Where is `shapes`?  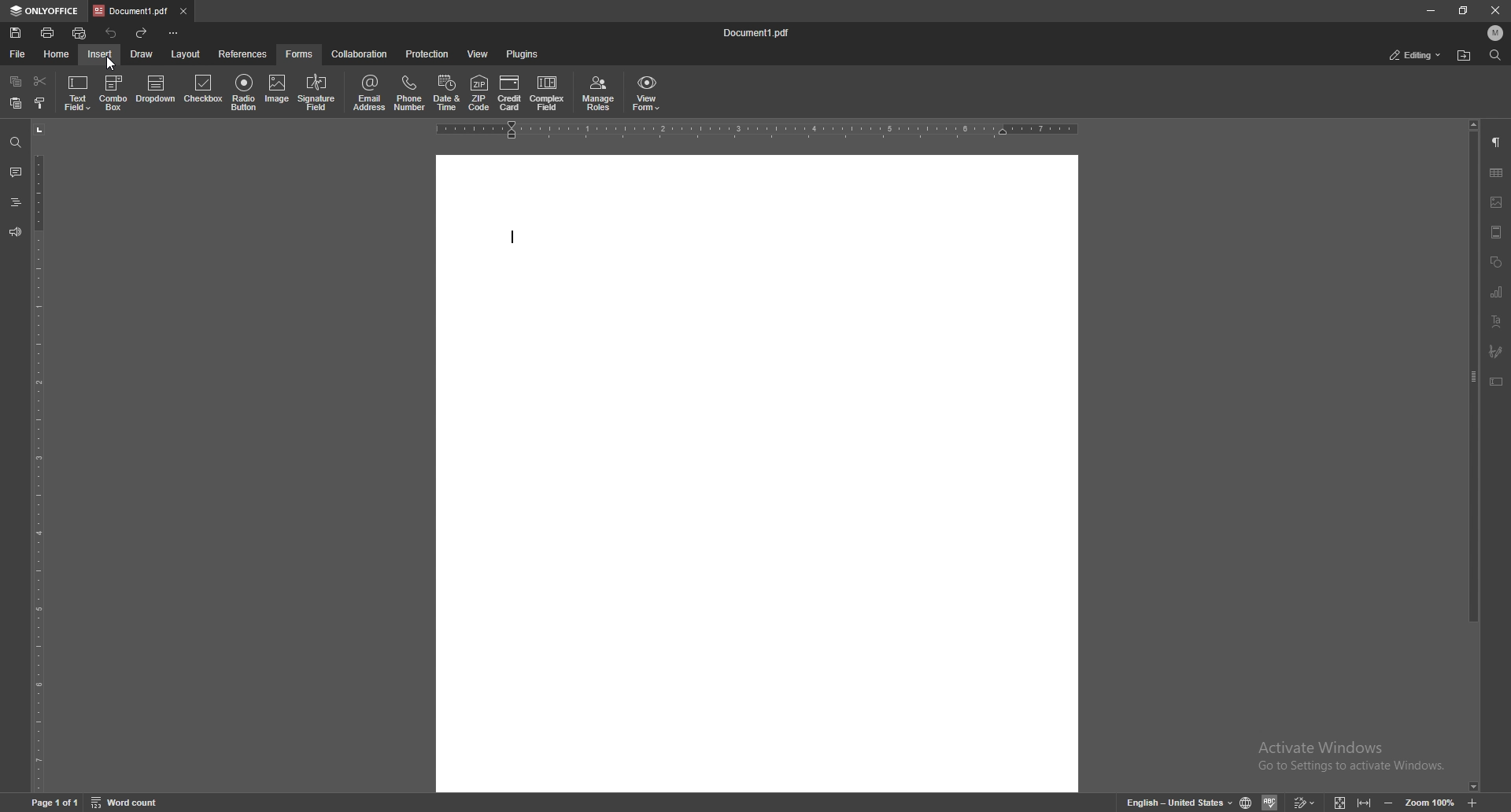
shapes is located at coordinates (1495, 263).